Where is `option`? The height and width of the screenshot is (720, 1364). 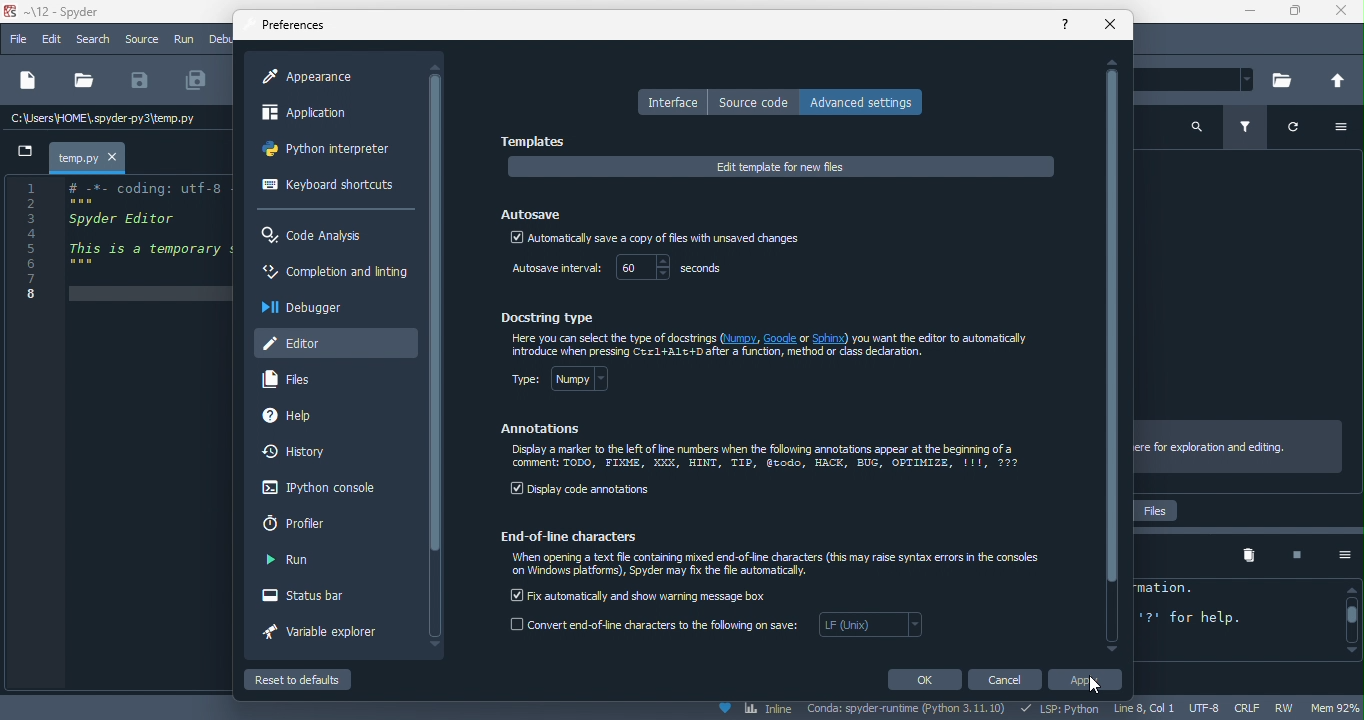
option is located at coordinates (1337, 555).